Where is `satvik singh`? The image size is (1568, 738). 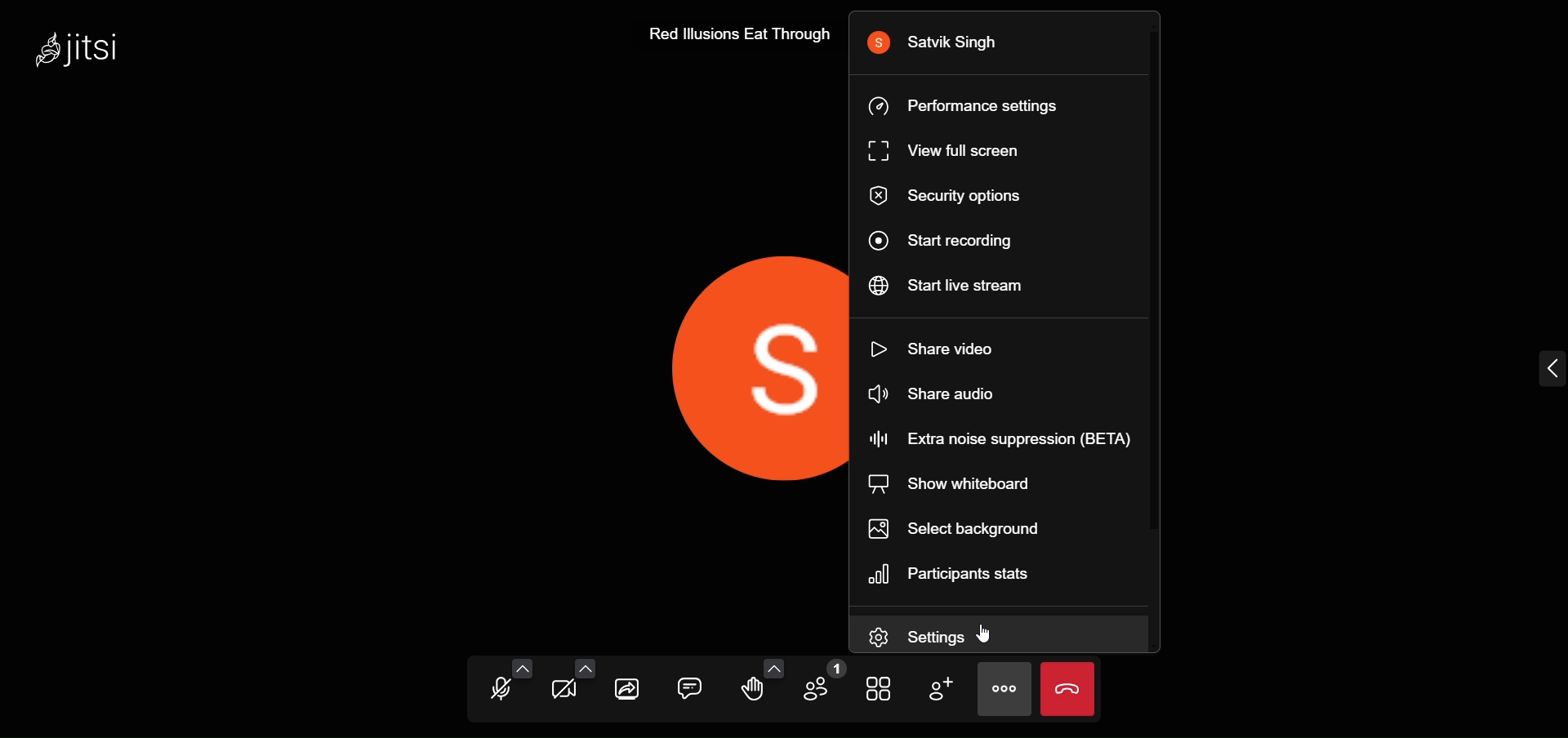 satvik singh is located at coordinates (944, 42).